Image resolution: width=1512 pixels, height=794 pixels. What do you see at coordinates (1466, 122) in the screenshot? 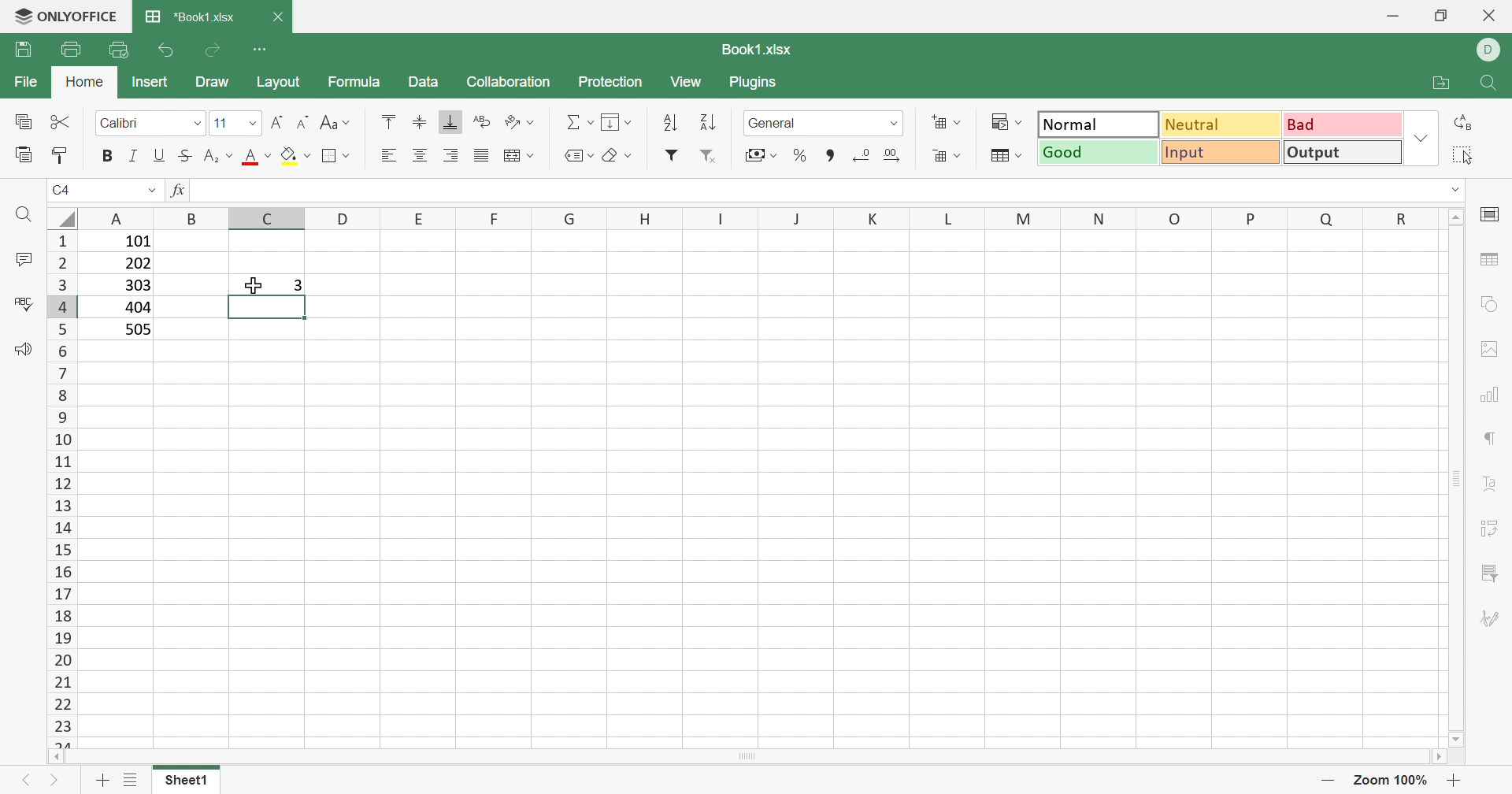
I see `Replace` at bounding box center [1466, 122].